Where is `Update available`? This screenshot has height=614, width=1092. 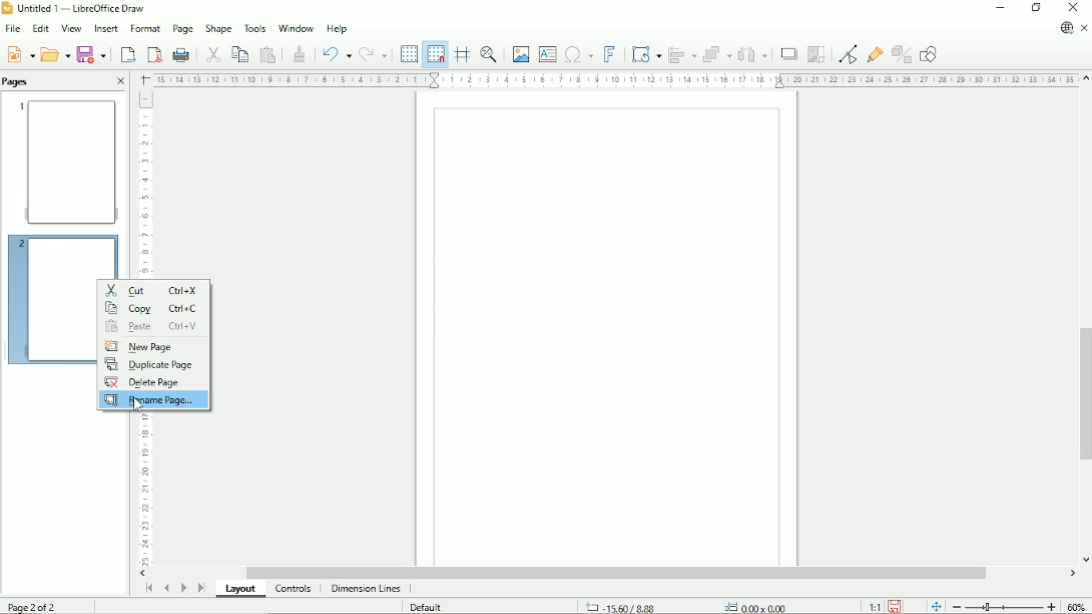
Update available is located at coordinates (1066, 28).